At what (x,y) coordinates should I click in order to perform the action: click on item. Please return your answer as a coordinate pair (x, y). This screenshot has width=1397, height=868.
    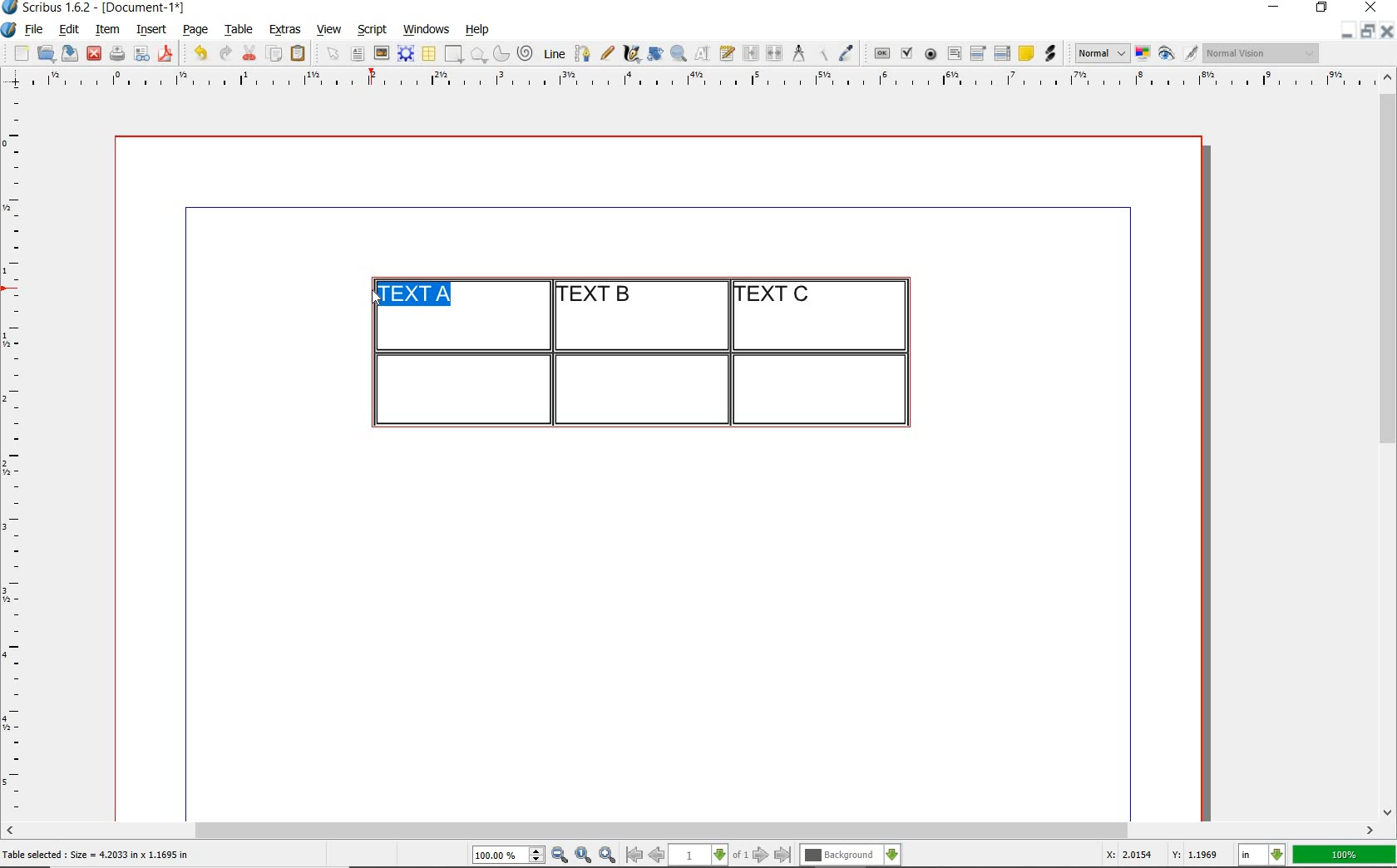
    Looking at the image, I should click on (106, 30).